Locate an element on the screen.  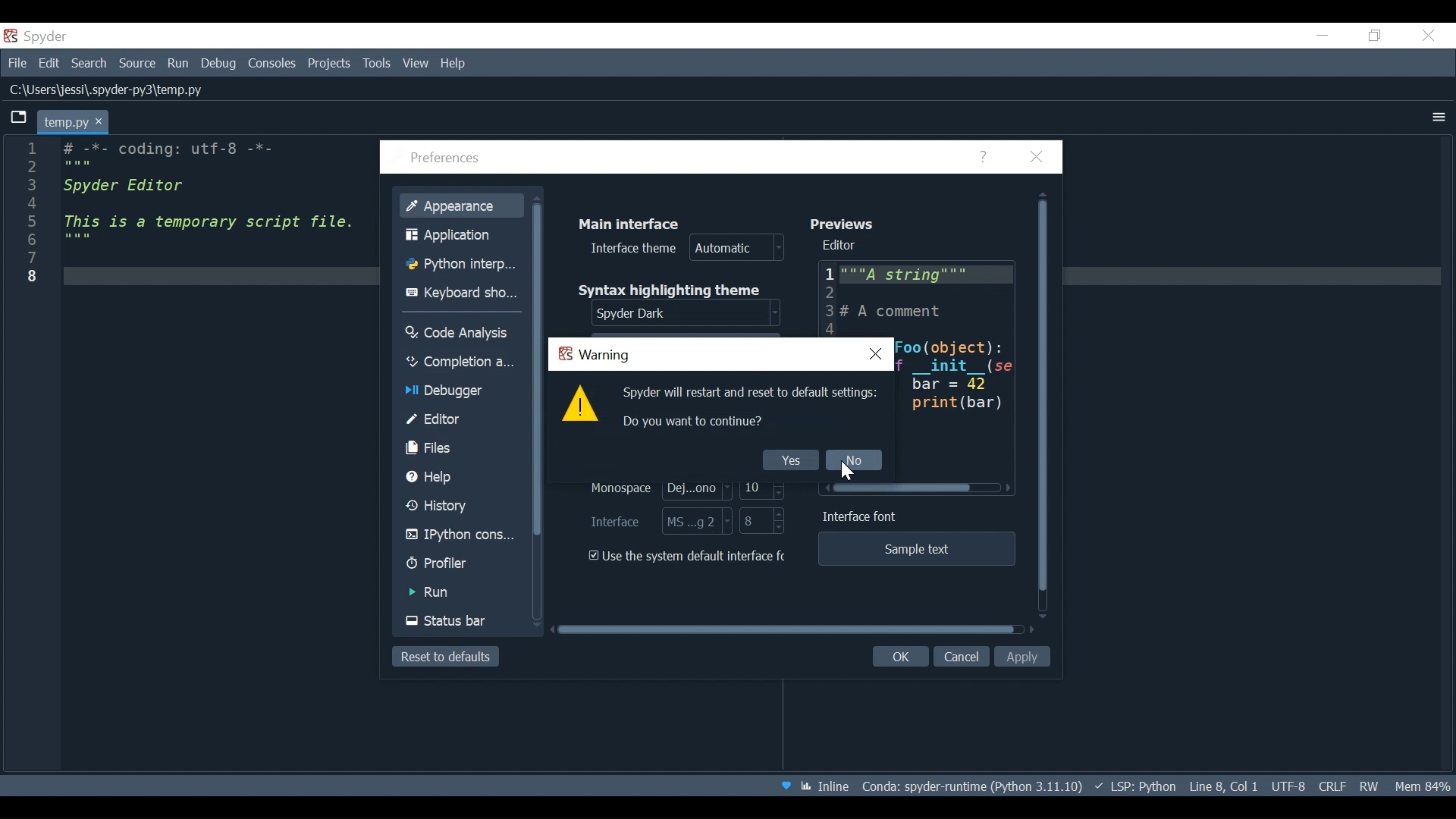
Conda Environment Indicator is located at coordinates (970, 786).